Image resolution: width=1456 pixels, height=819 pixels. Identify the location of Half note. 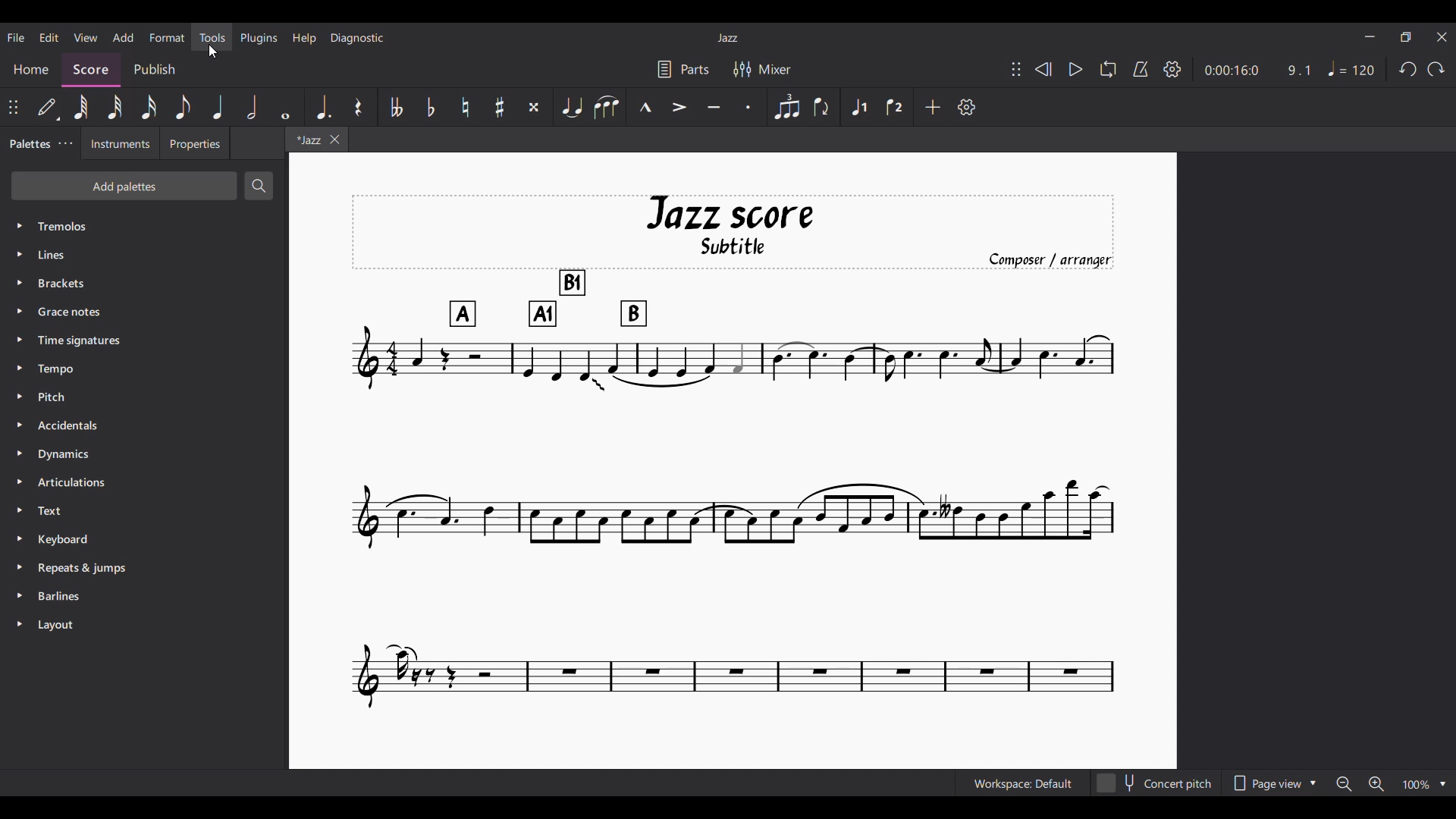
(252, 107).